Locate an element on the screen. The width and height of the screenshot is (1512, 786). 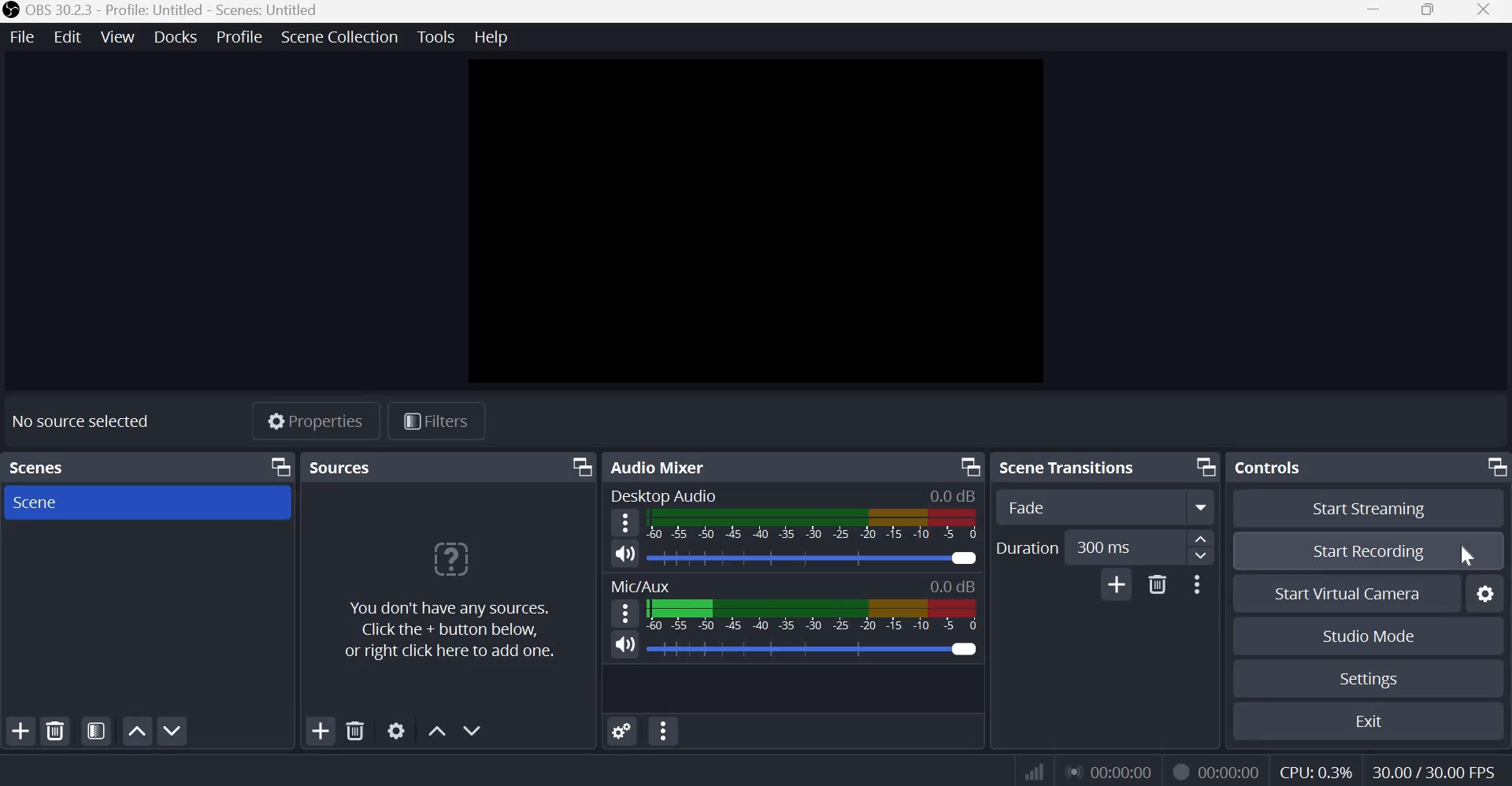
30.00/30.00 FPS is located at coordinates (1432, 769).